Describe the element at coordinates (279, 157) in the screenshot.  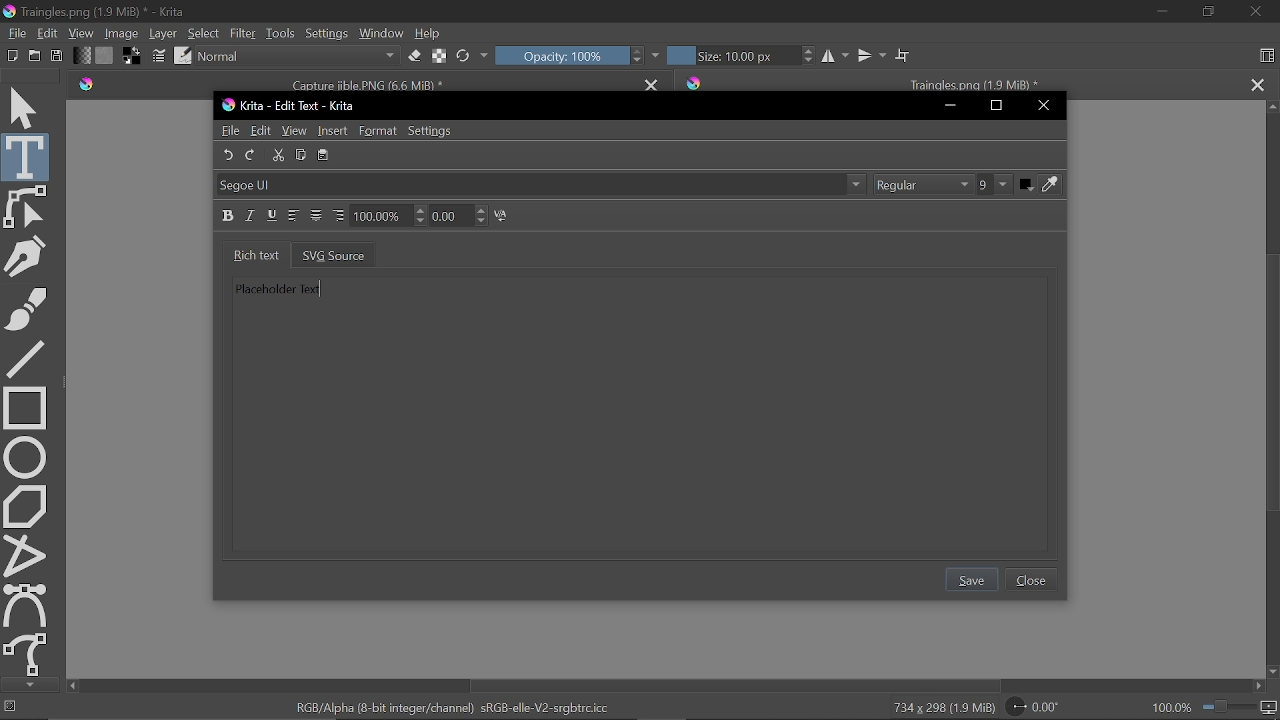
I see `Cut` at that location.